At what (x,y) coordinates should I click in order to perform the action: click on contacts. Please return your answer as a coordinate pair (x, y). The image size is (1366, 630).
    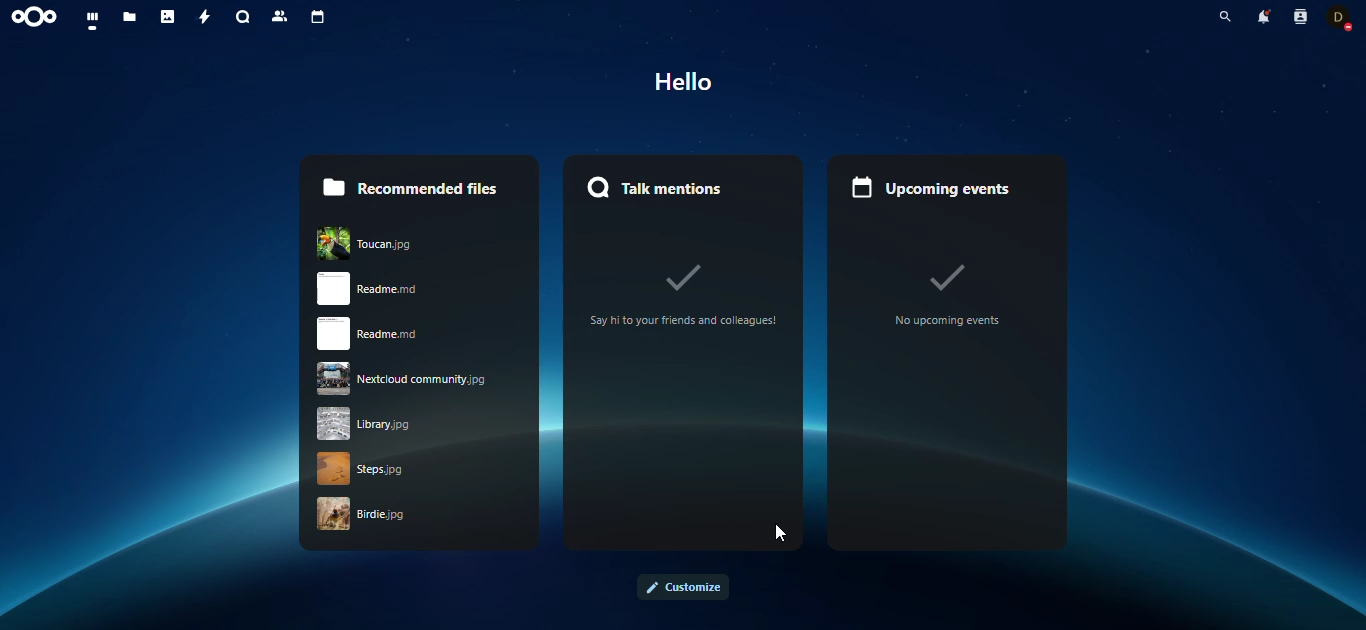
    Looking at the image, I should click on (1300, 16).